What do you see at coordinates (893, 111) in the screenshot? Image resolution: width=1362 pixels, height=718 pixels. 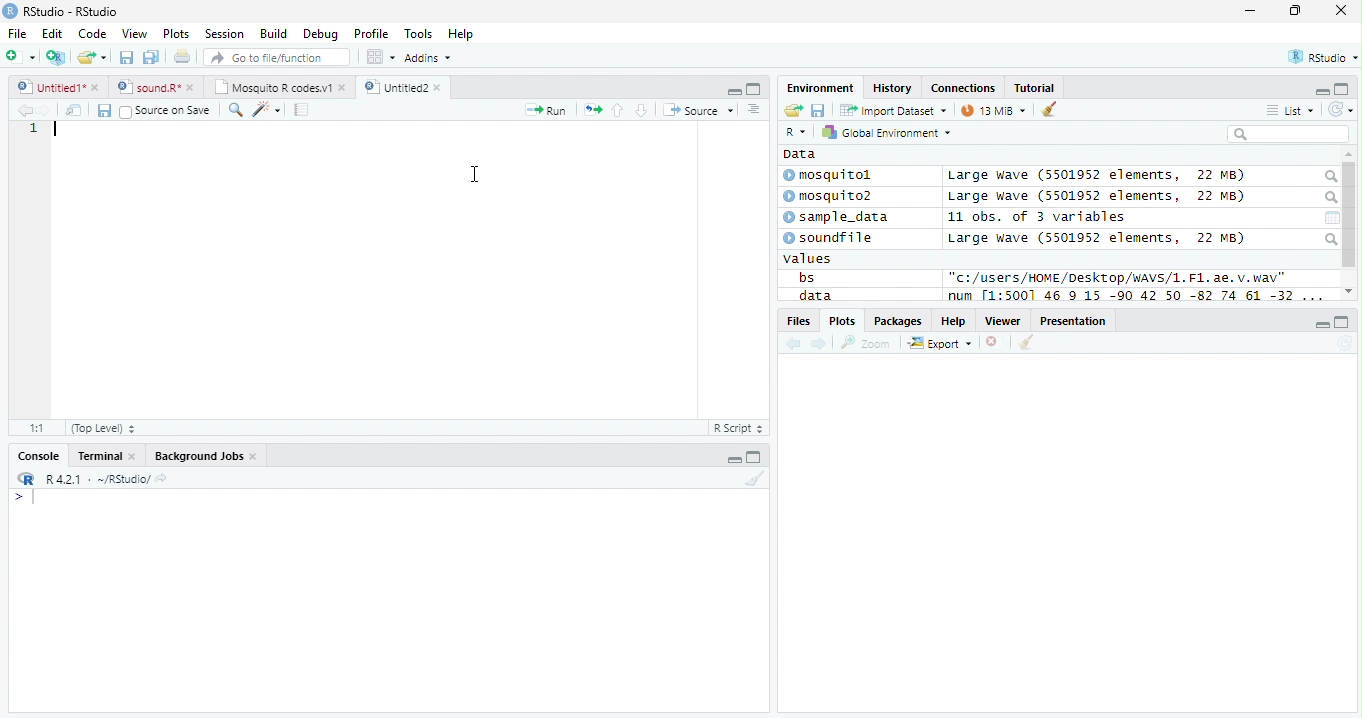 I see `Import Dataset` at bounding box center [893, 111].